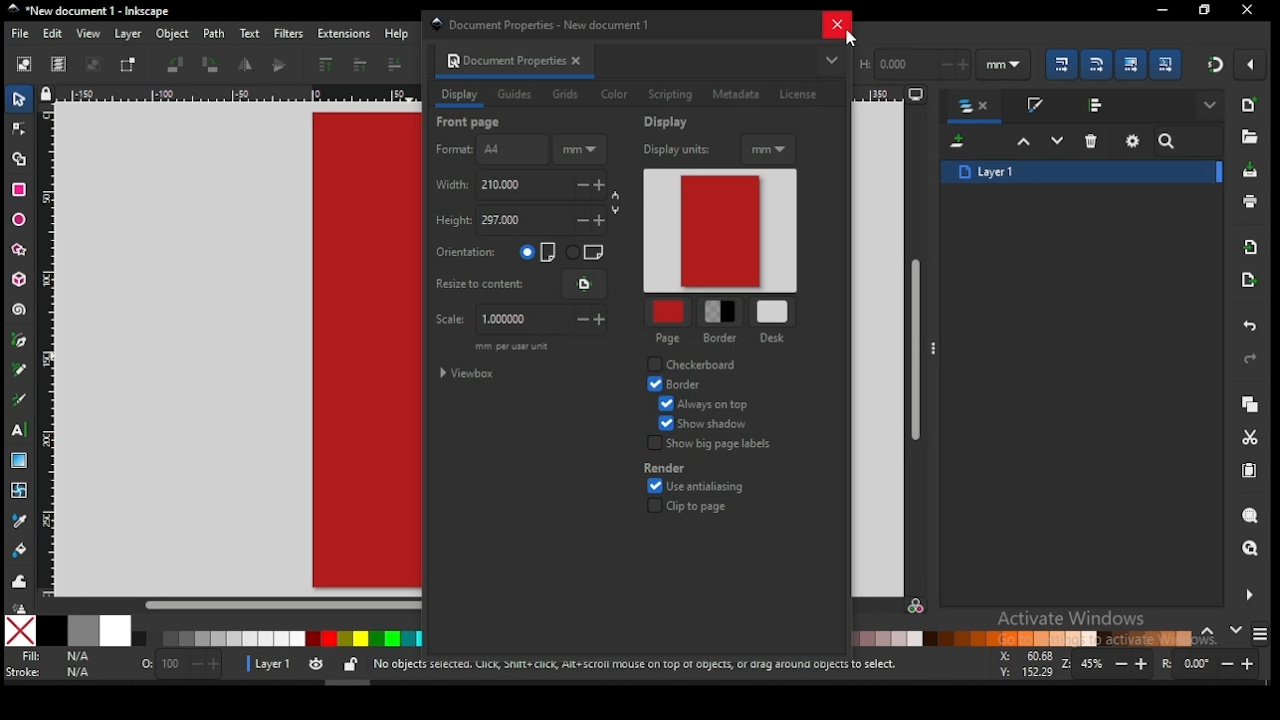 The width and height of the screenshot is (1280, 720). What do you see at coordinates (287, 32) in the screenshot?
I see `filters` at bounding box center [287, 32].